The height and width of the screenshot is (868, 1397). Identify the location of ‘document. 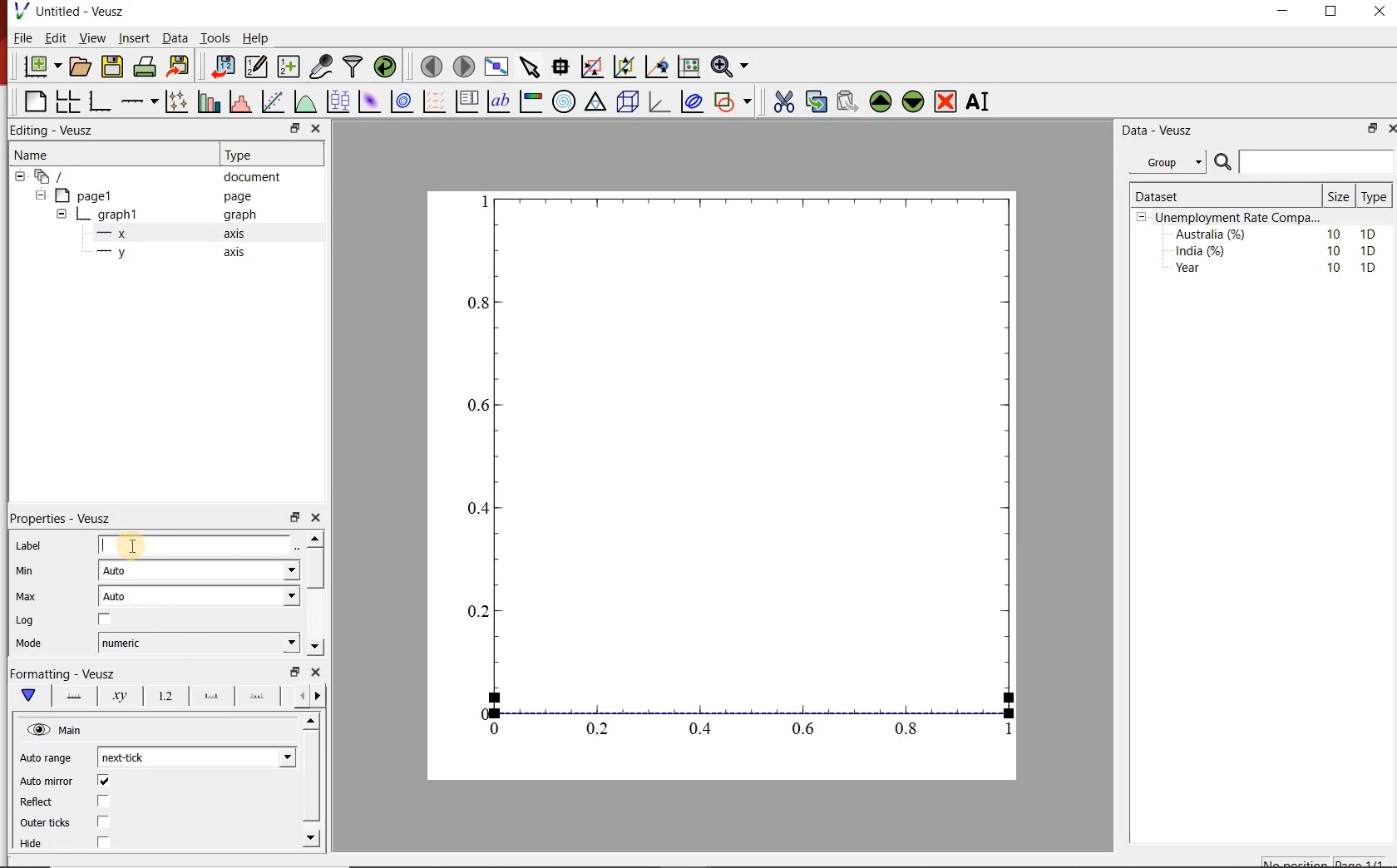
(155, 175).